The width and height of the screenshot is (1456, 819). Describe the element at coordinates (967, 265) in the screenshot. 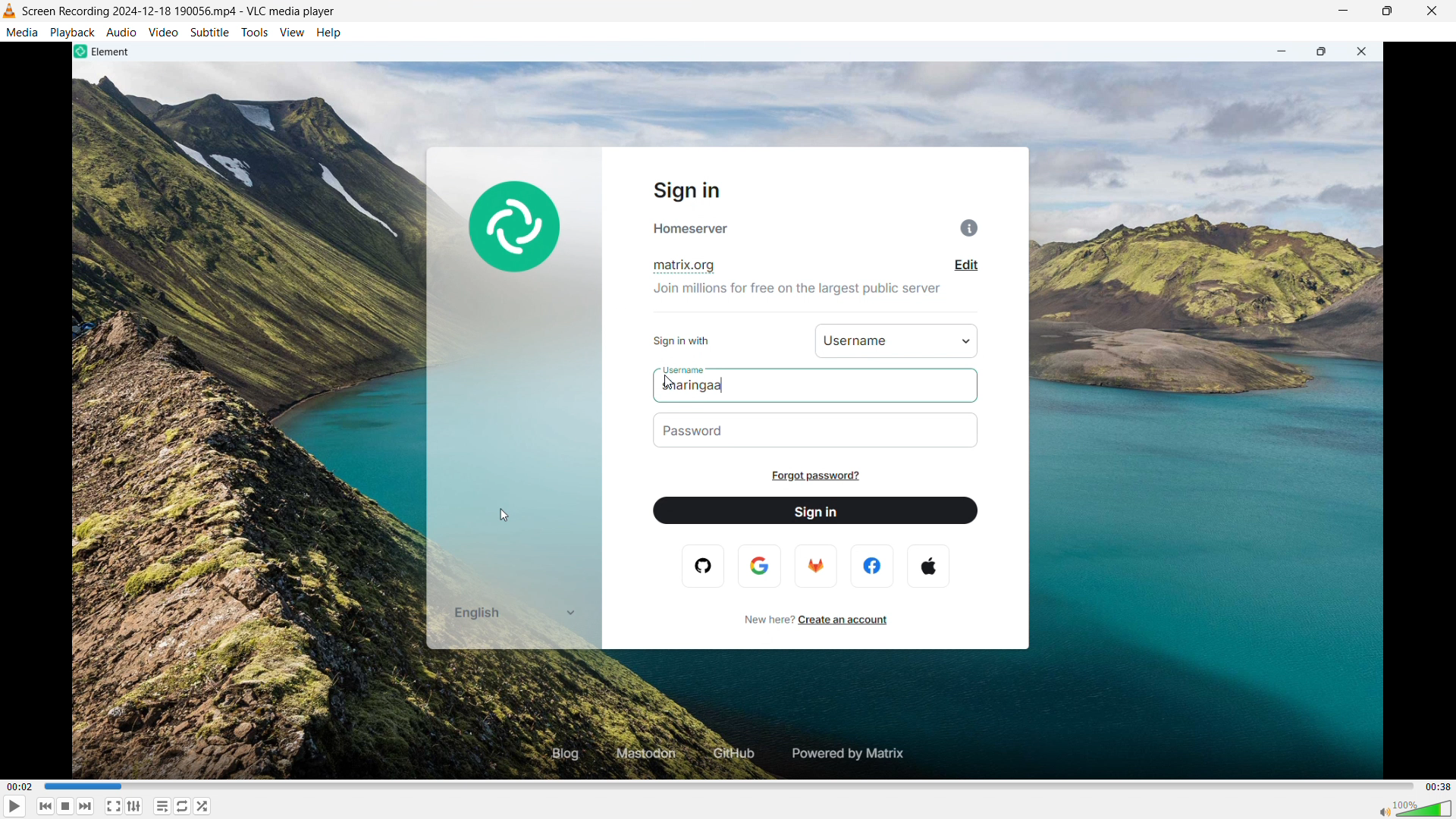

I see `edit` at that location.